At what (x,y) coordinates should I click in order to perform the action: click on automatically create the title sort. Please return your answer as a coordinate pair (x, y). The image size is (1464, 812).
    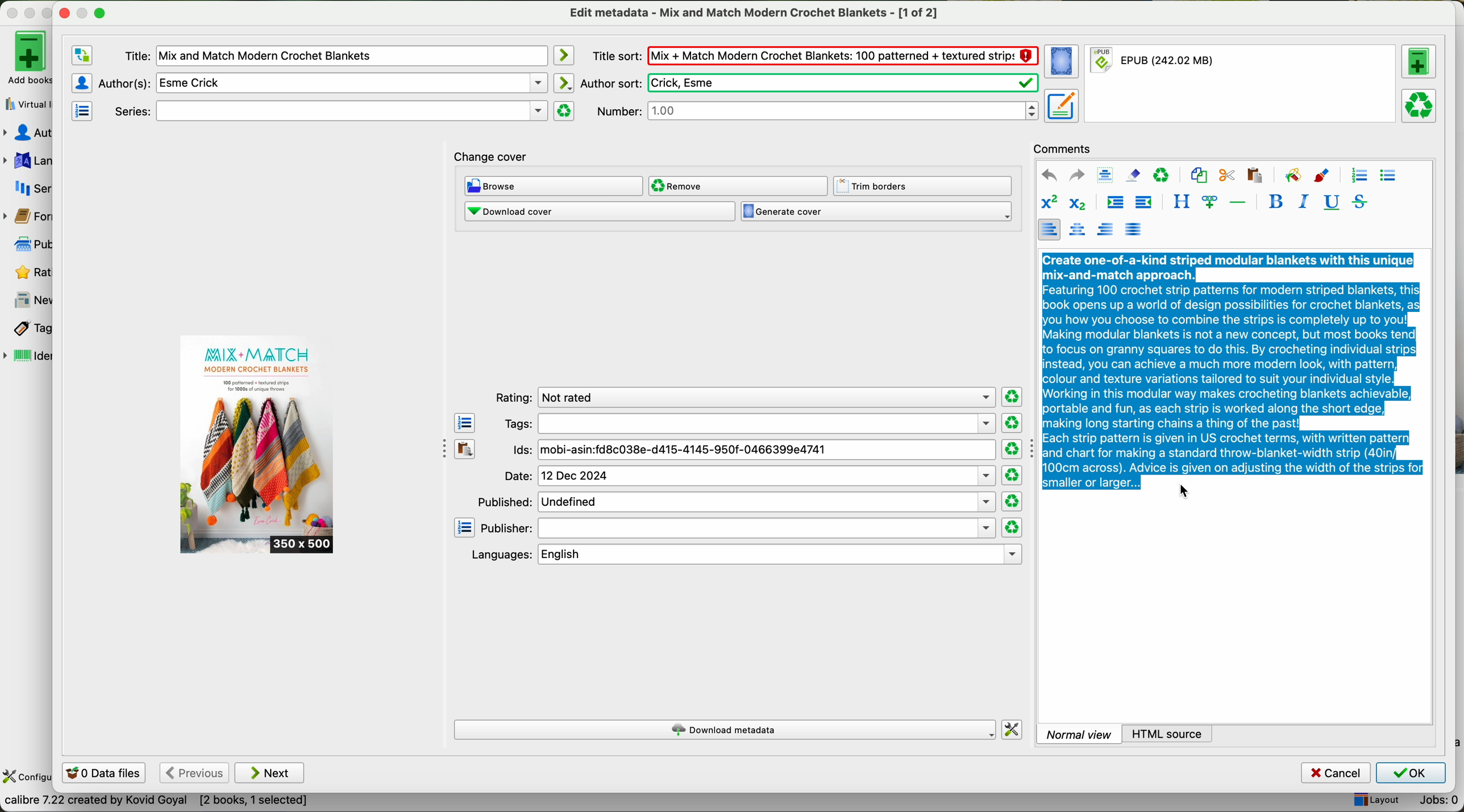
    Looking at the image, I should click on (563, 56).